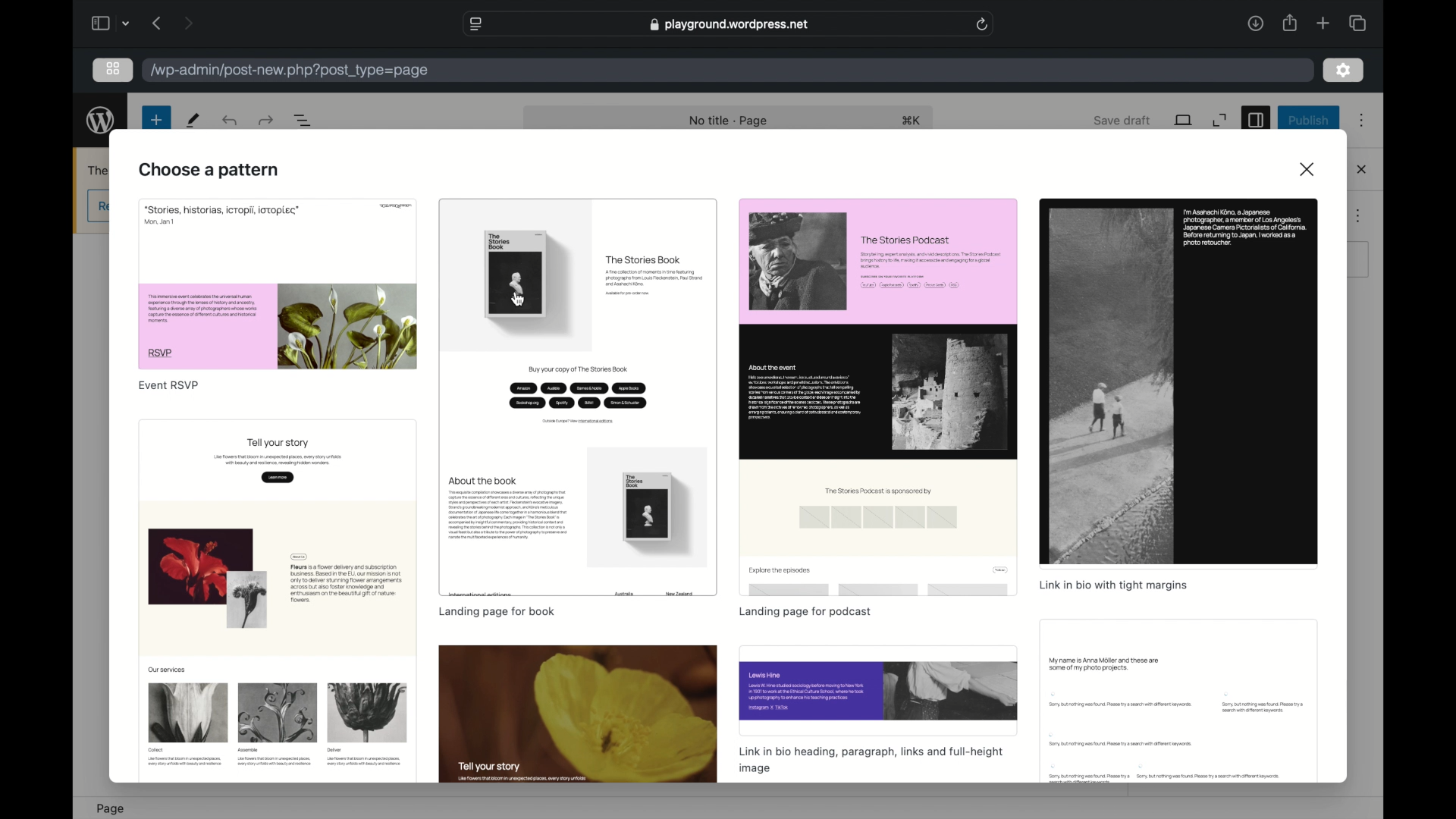 Image resolution: width=1456 pixels, height=819 pixels. Describe the element at coordinates (1178, 702) in the screenshot. I see `obscure preview` at that location.